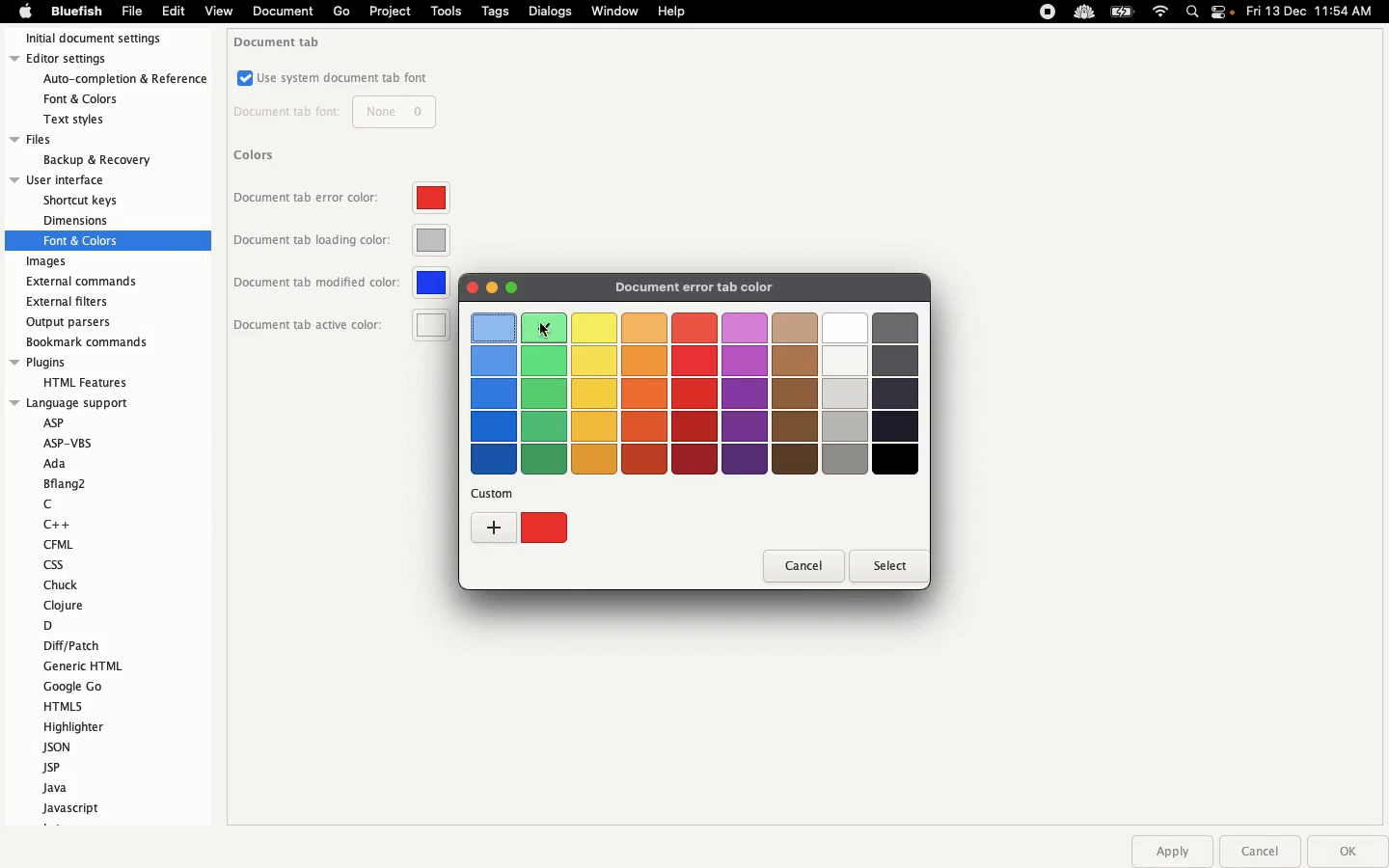 The image size is (1389, 868). Describe the element at coordinates (1064, 12) in the screenshot. I see `Extensions` at that location.